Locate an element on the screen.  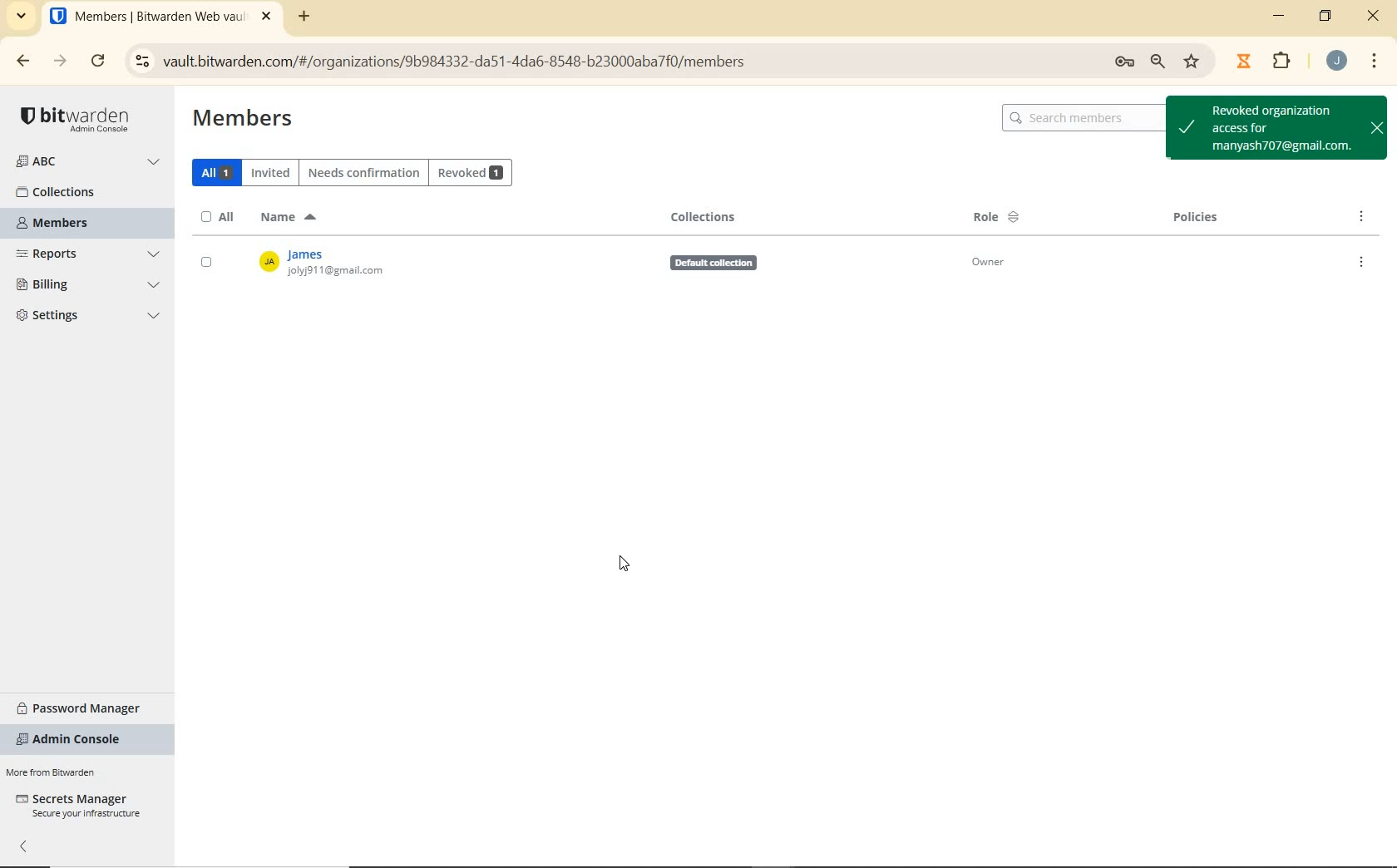
ACCOUNT NAME is located at coordinates (1339, 61).